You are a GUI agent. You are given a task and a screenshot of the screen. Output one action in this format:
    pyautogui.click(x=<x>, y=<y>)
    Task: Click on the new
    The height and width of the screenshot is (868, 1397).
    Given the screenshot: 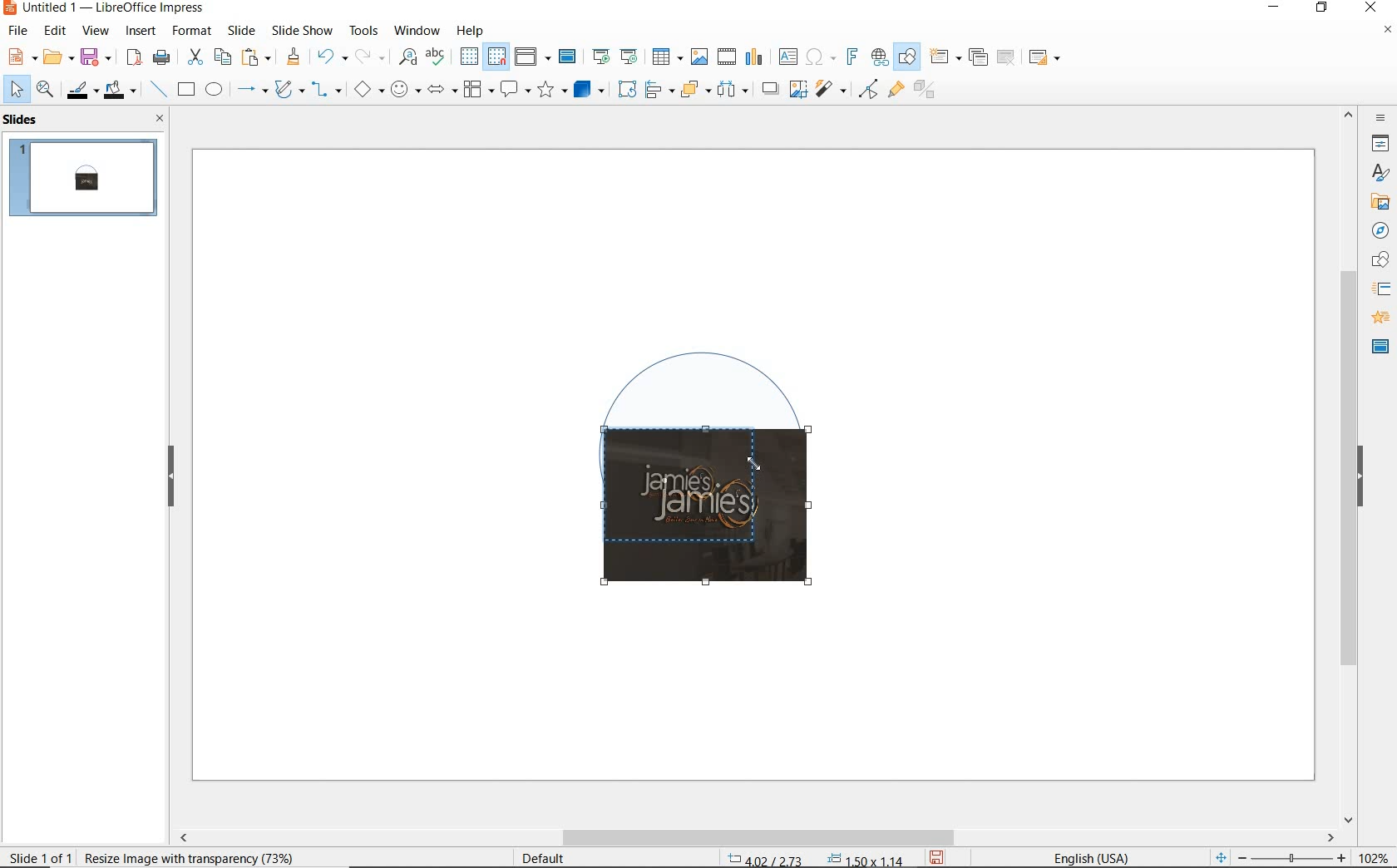 What is the action you would take?
    pyautogui.click(x=20, y=56)
    